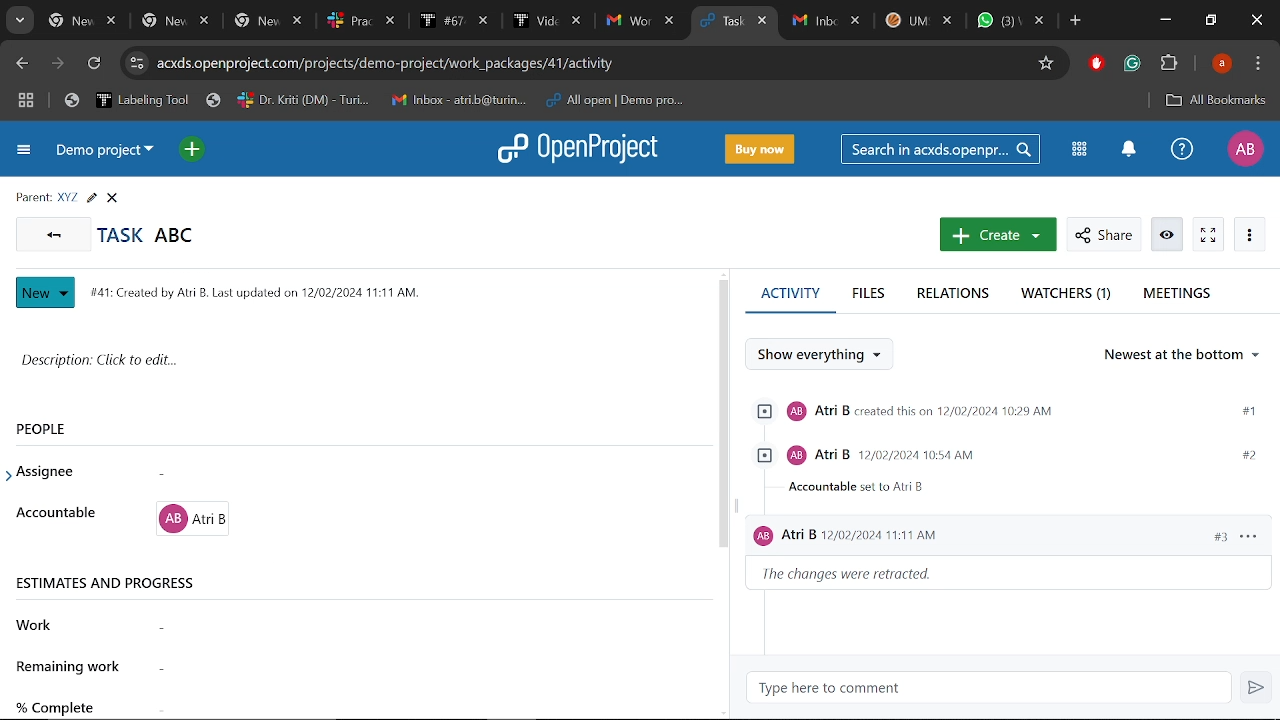  Describe the element at coordinates (46, 430) in the screenshot. I see `` at that location.